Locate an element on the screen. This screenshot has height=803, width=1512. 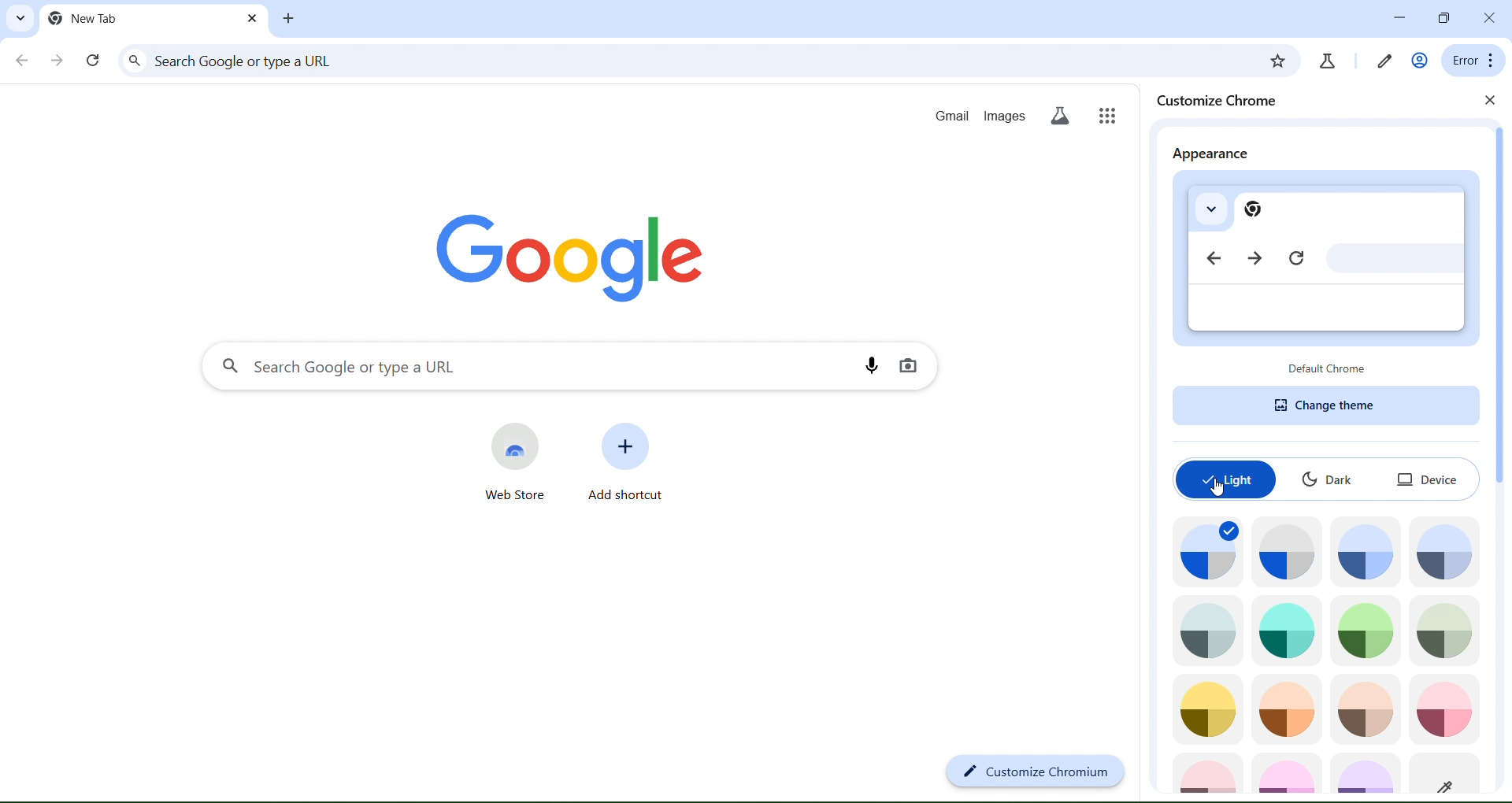
search tabs is located at coordinates (20, 18).